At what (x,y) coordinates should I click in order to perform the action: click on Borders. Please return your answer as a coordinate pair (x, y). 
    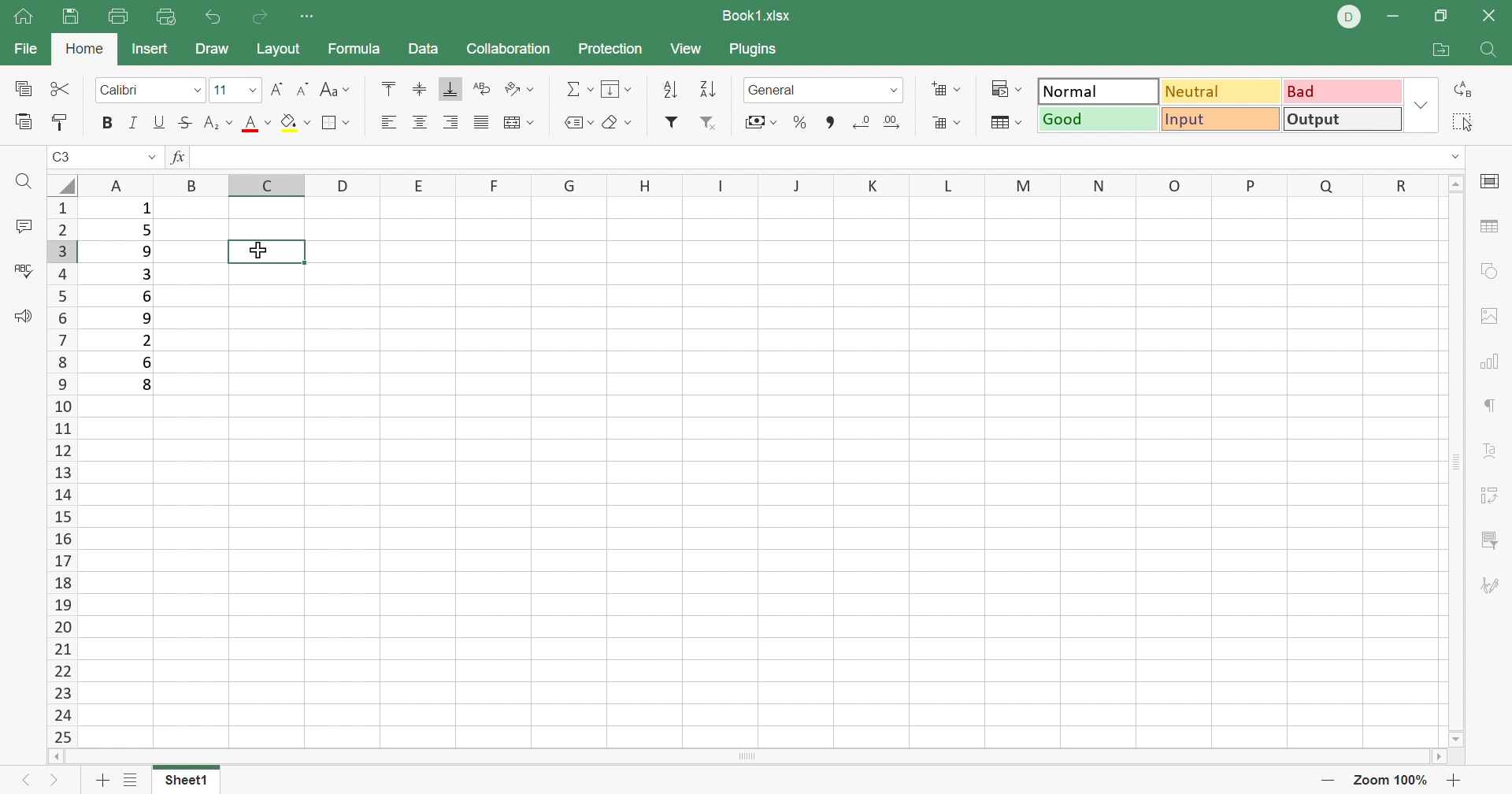
    Looking at the image, I should click on (338, 123).